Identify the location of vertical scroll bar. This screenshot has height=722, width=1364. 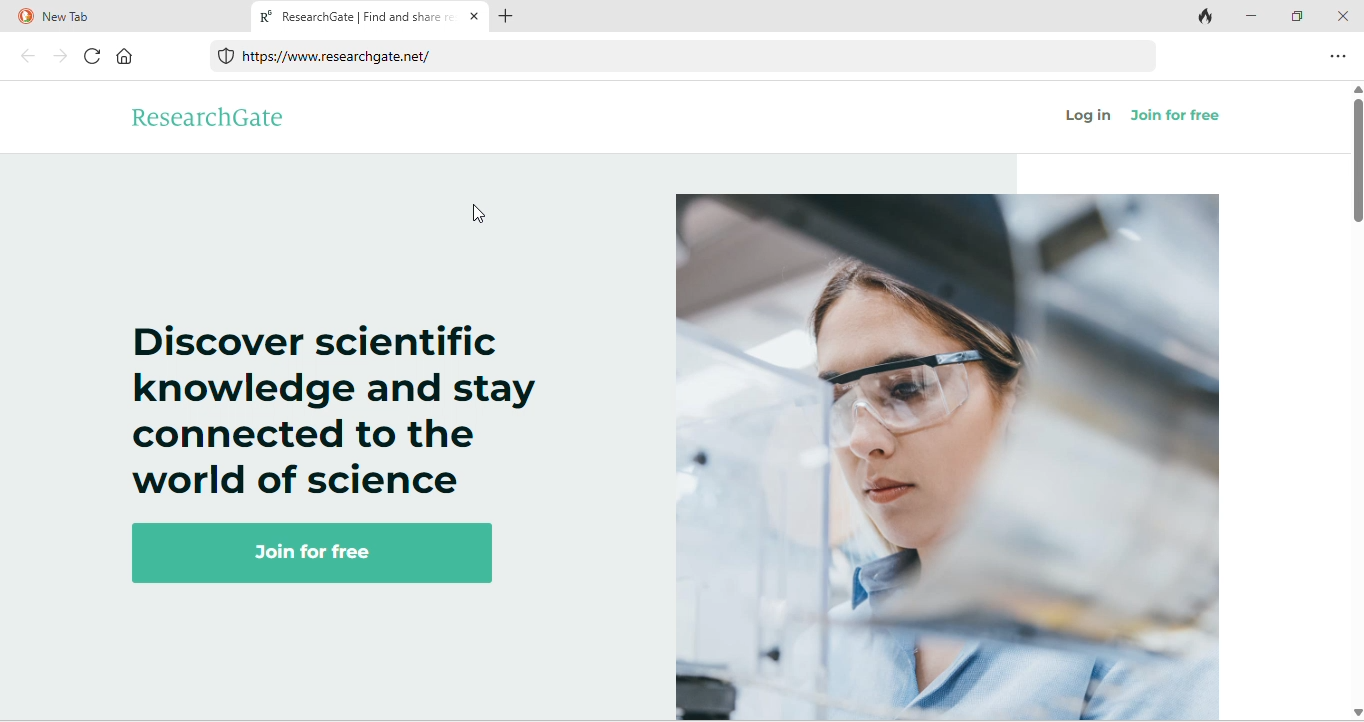
(1355, 158).